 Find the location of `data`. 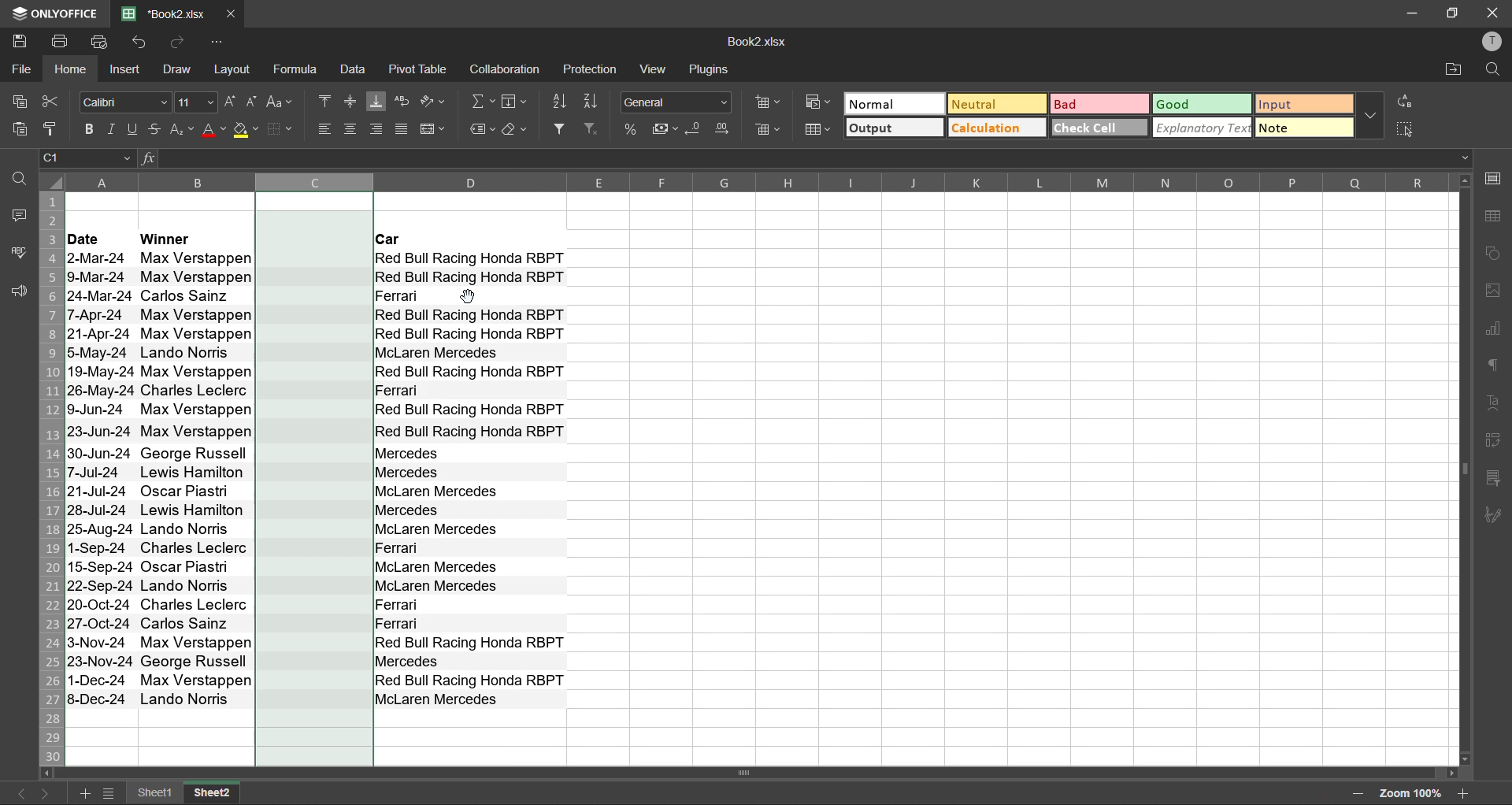

data is located at coordinates (358, 72).